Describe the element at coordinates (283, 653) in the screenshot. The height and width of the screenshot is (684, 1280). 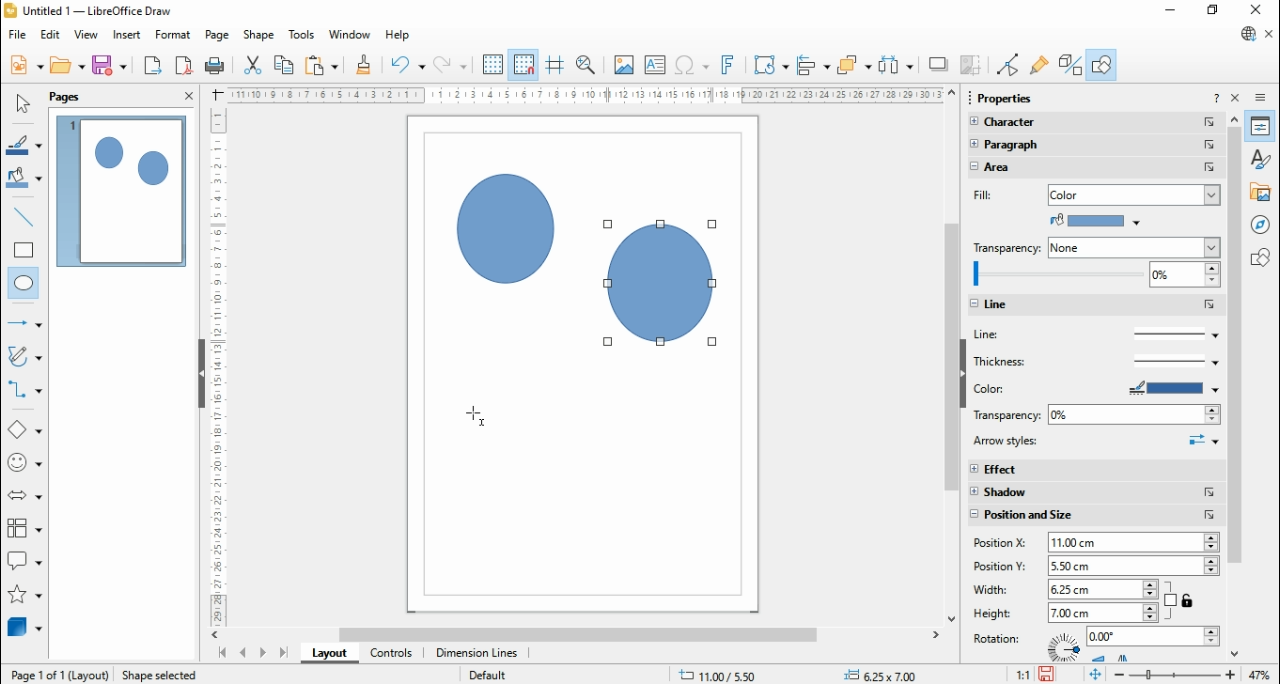
I see `last page` at that location.